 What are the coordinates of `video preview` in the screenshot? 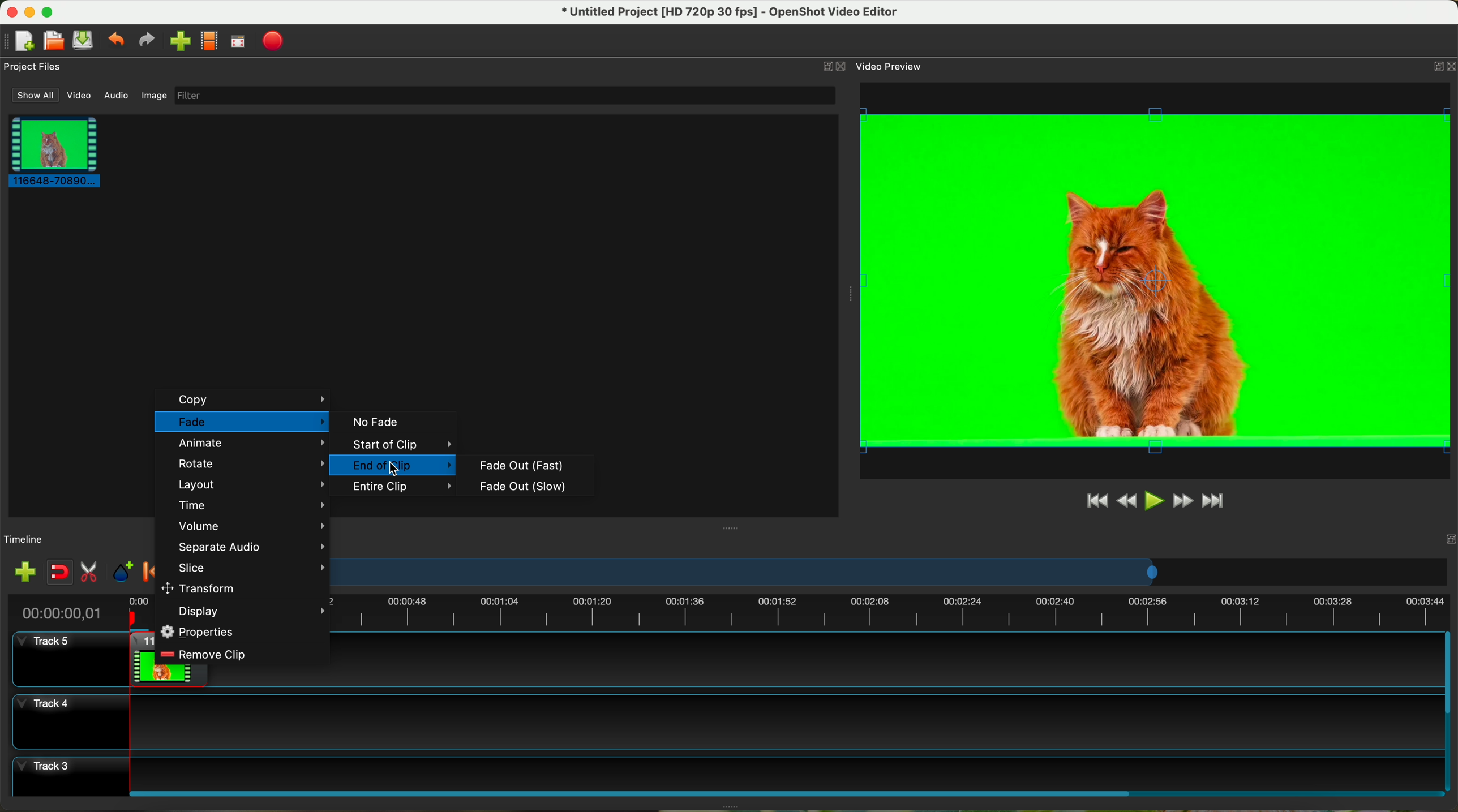 It's located at (891, 66).